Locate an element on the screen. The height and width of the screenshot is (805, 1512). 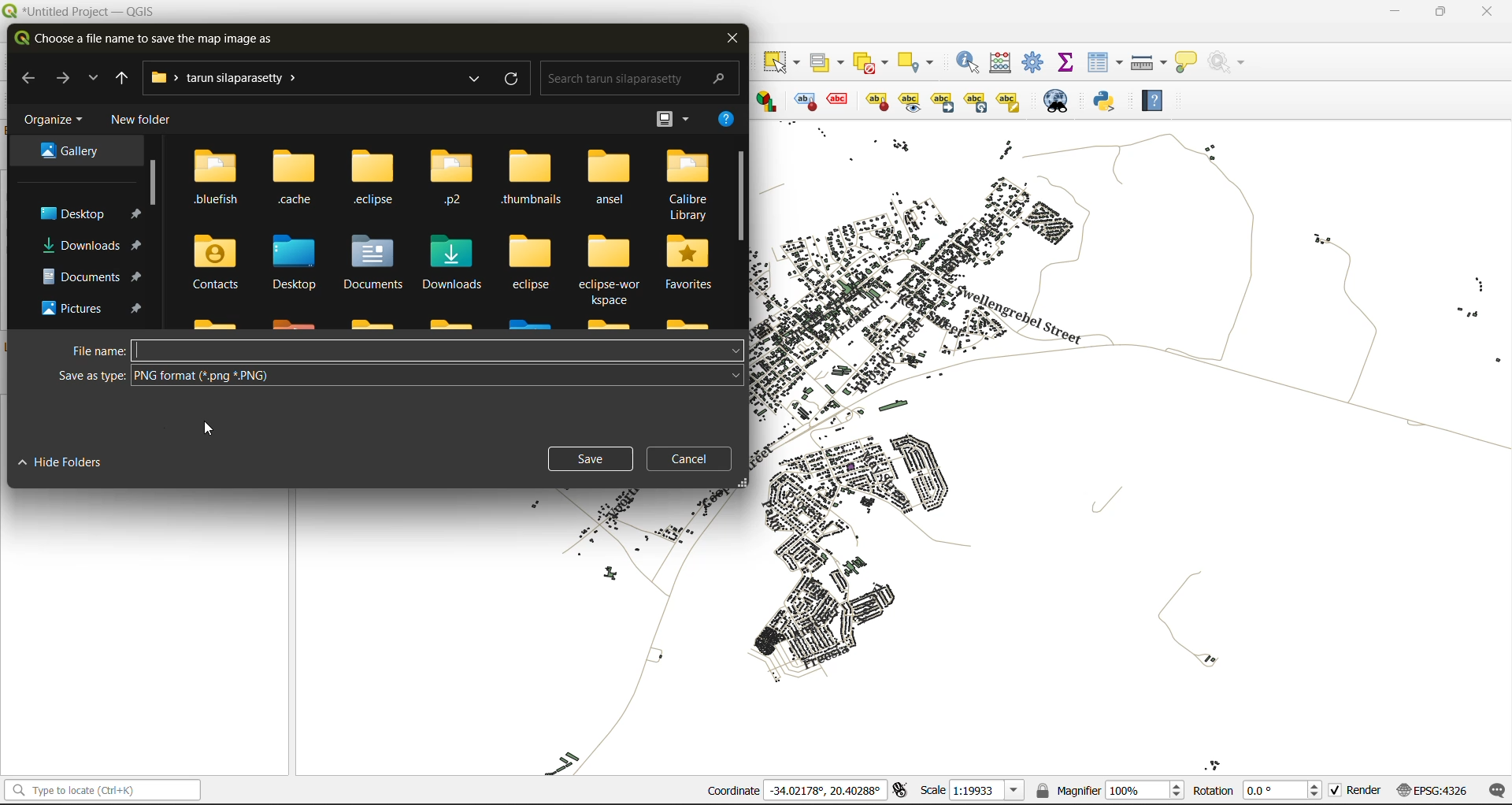
coordinates is located at coordinates (795, 792).